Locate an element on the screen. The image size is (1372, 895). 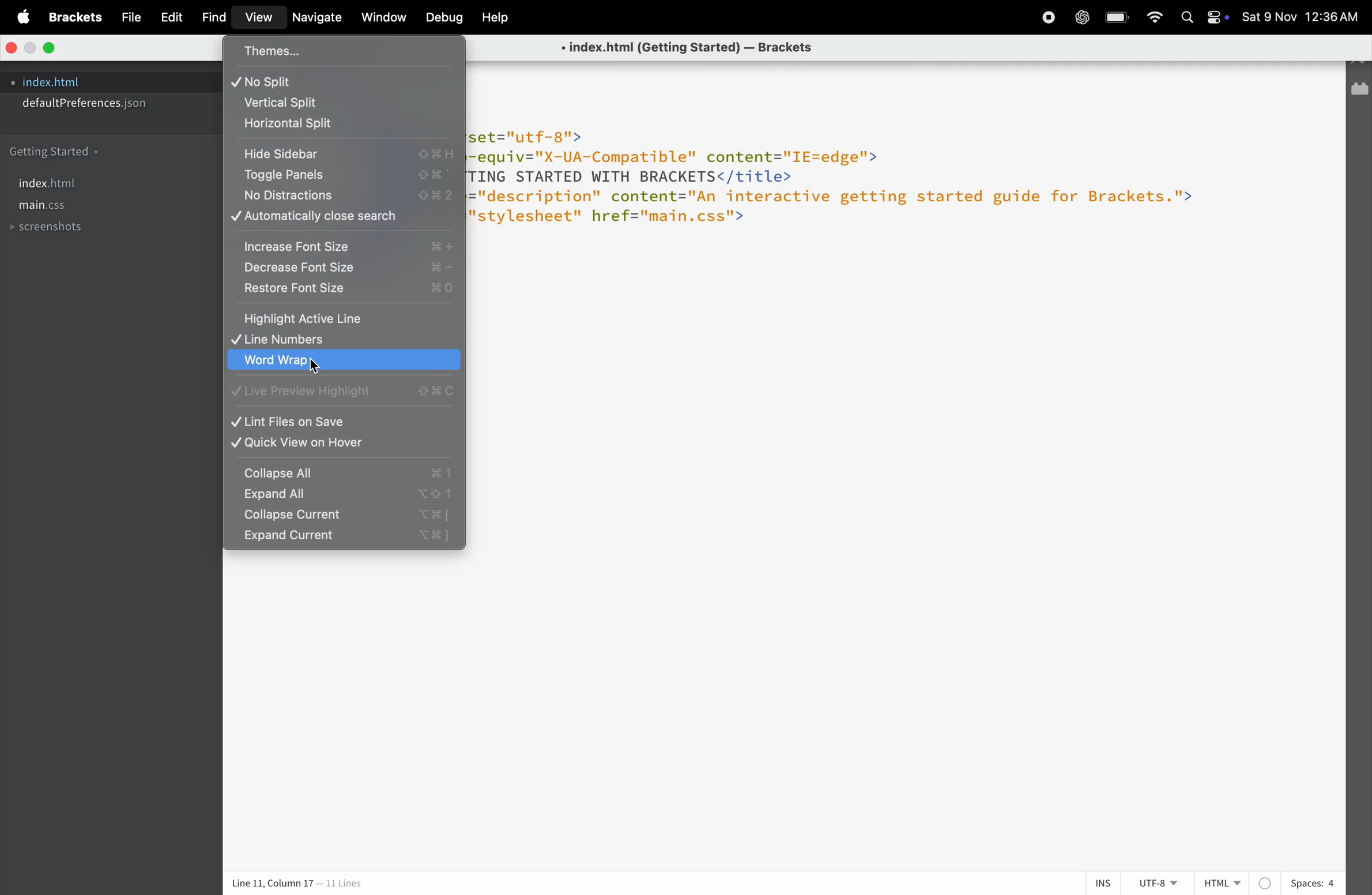
minimize is located at coordinates (31, 49).